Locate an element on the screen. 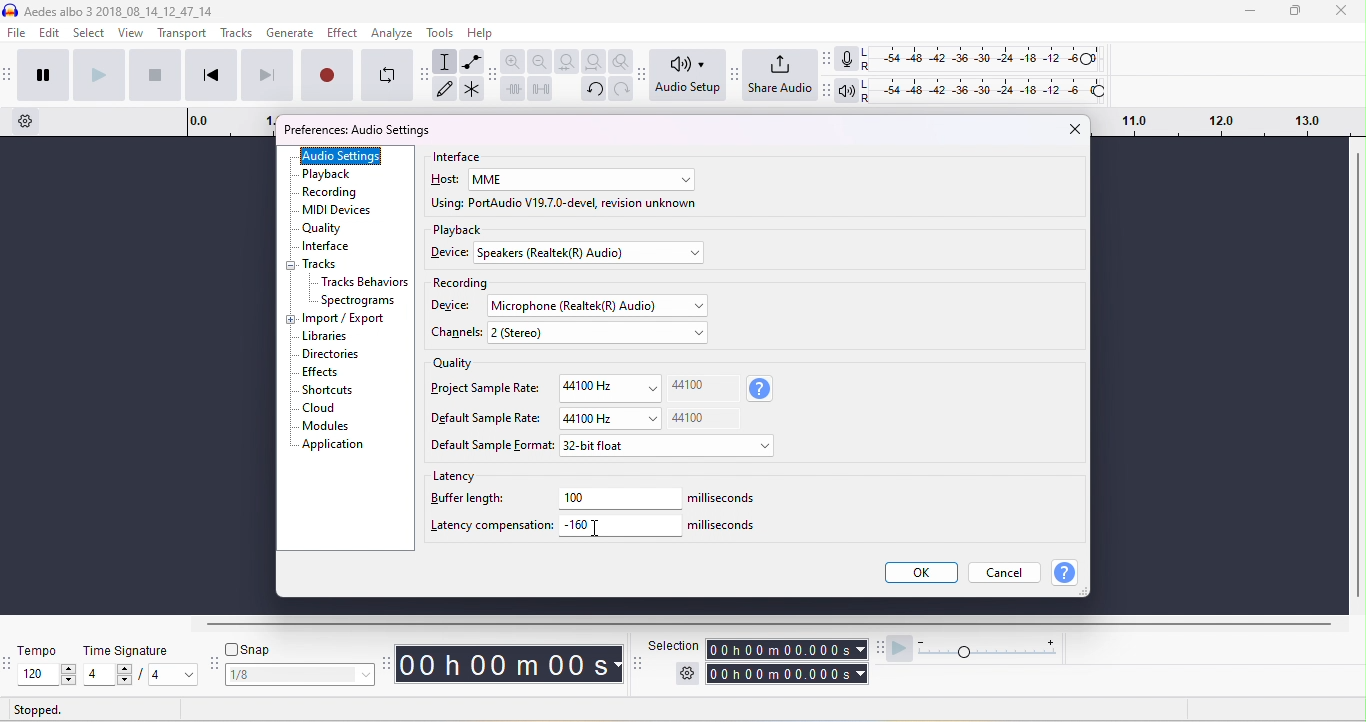 This screenshot has height=722, width=1366. draw tool  is located at coordinates (445, 87).